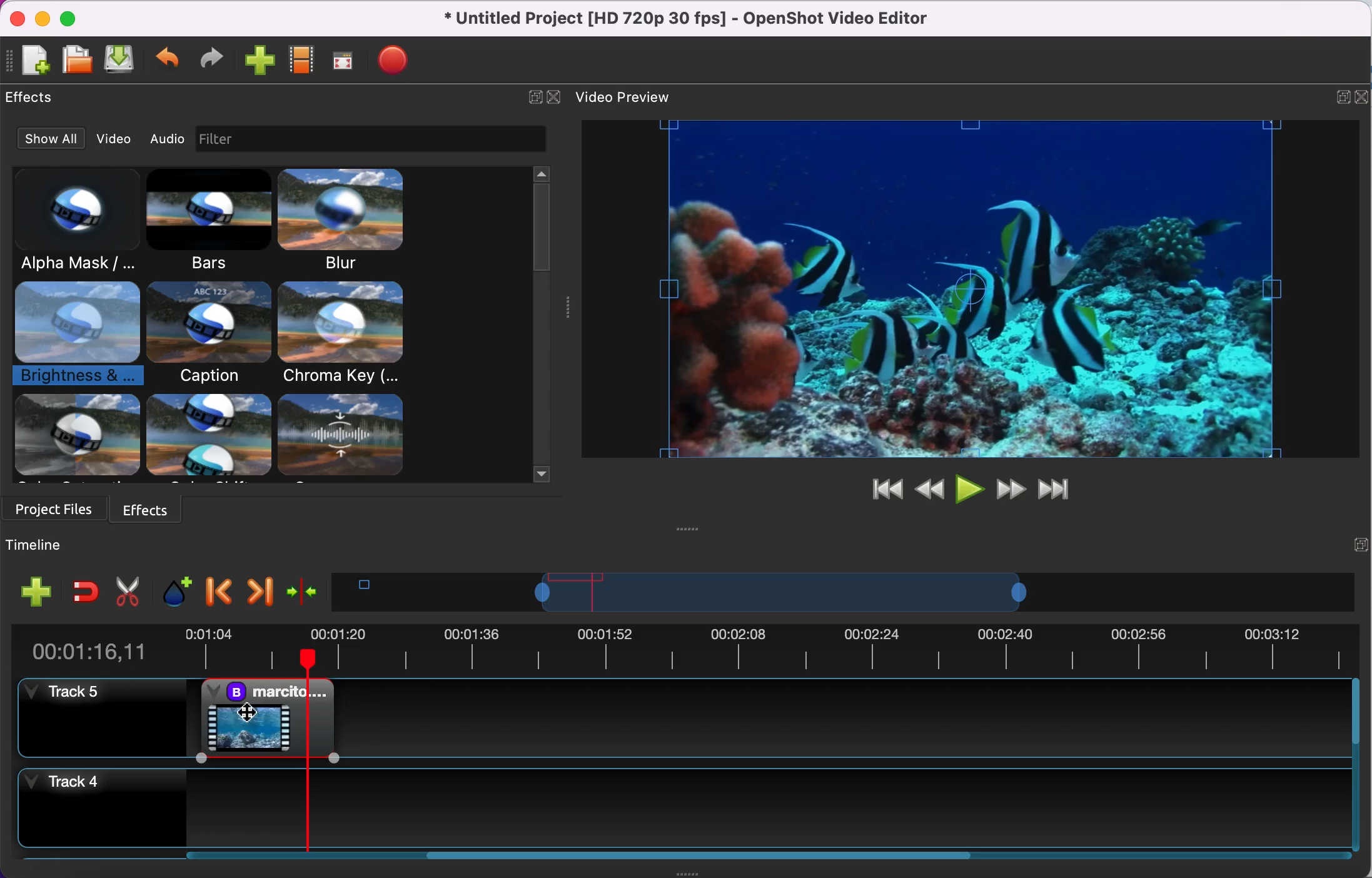  I want to click on Vertical slide bar, so click(1356, 766).